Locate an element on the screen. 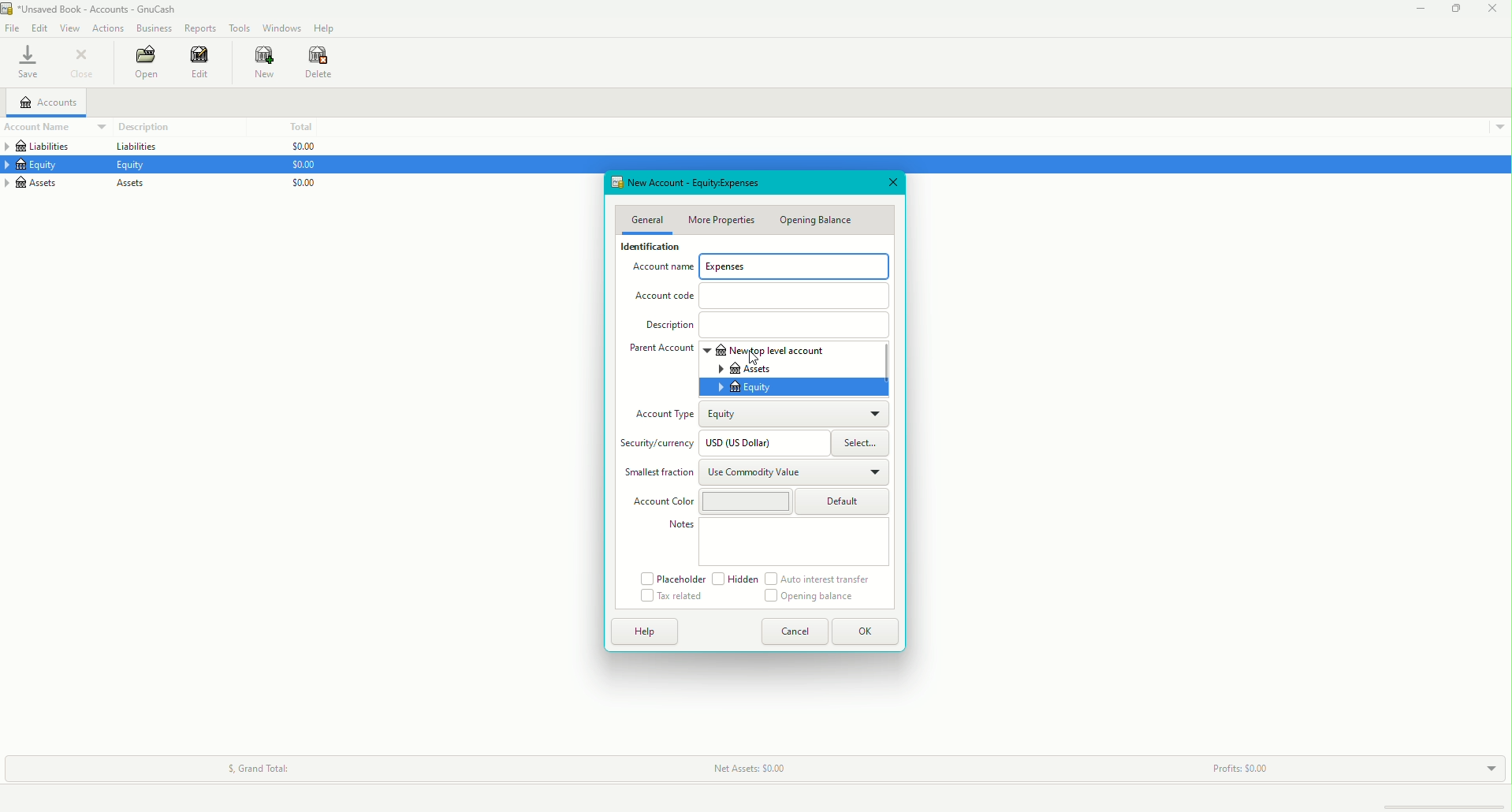 The width and height of the screenshot is (1512, 812). Reports is located at coordinates (199, 28).